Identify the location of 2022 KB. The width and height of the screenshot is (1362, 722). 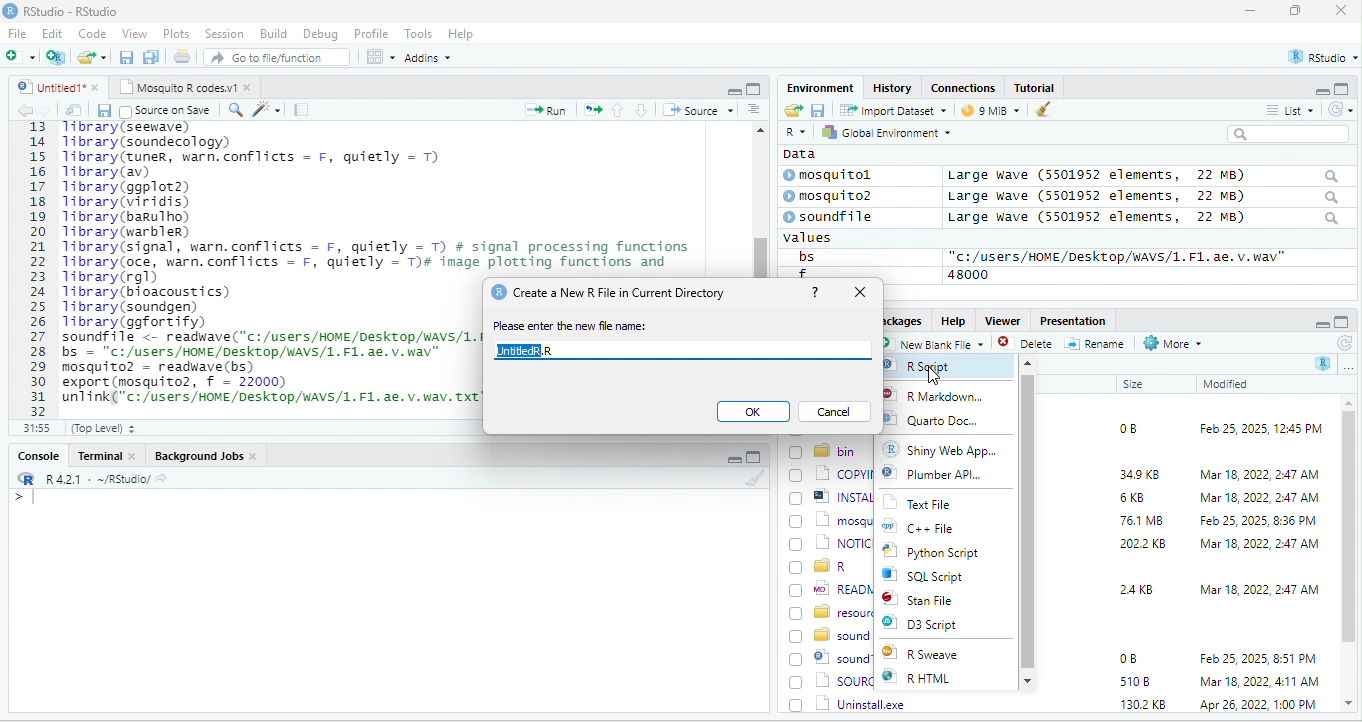
(1144, 545).